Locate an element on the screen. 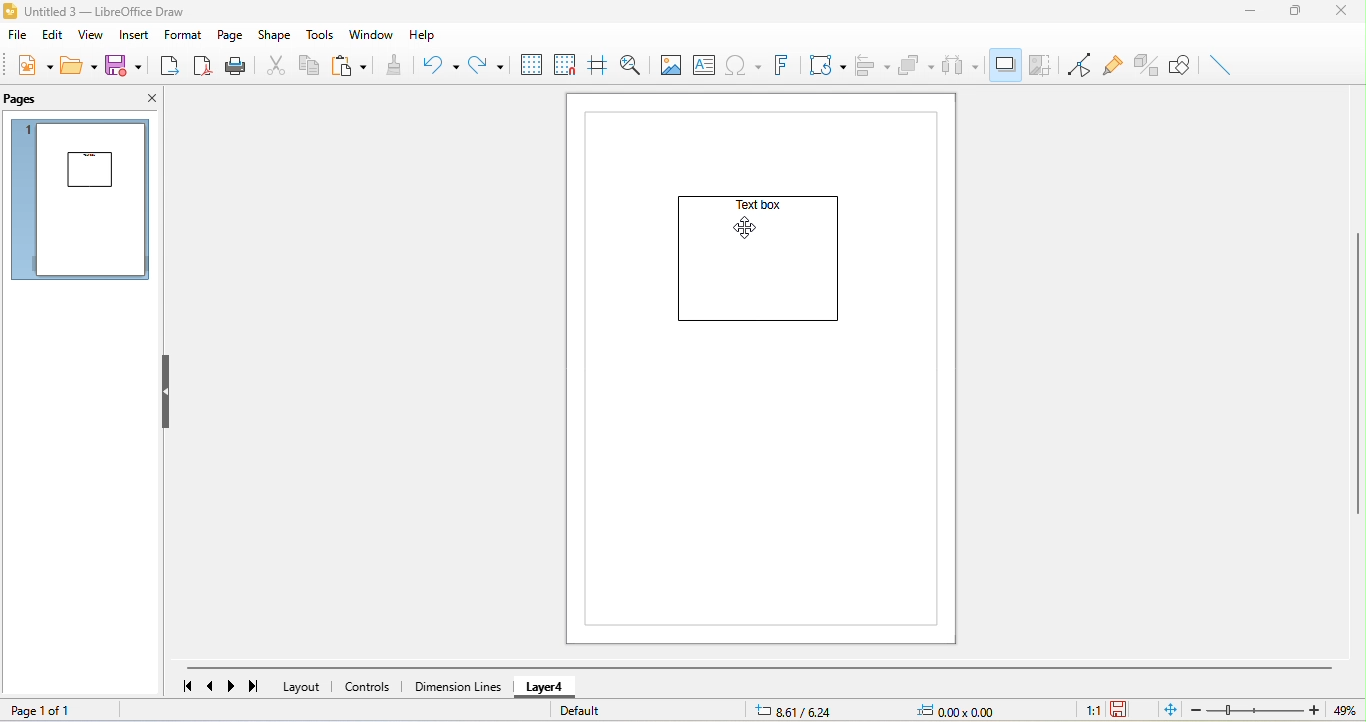  text box is located at coordinates (706, 65).